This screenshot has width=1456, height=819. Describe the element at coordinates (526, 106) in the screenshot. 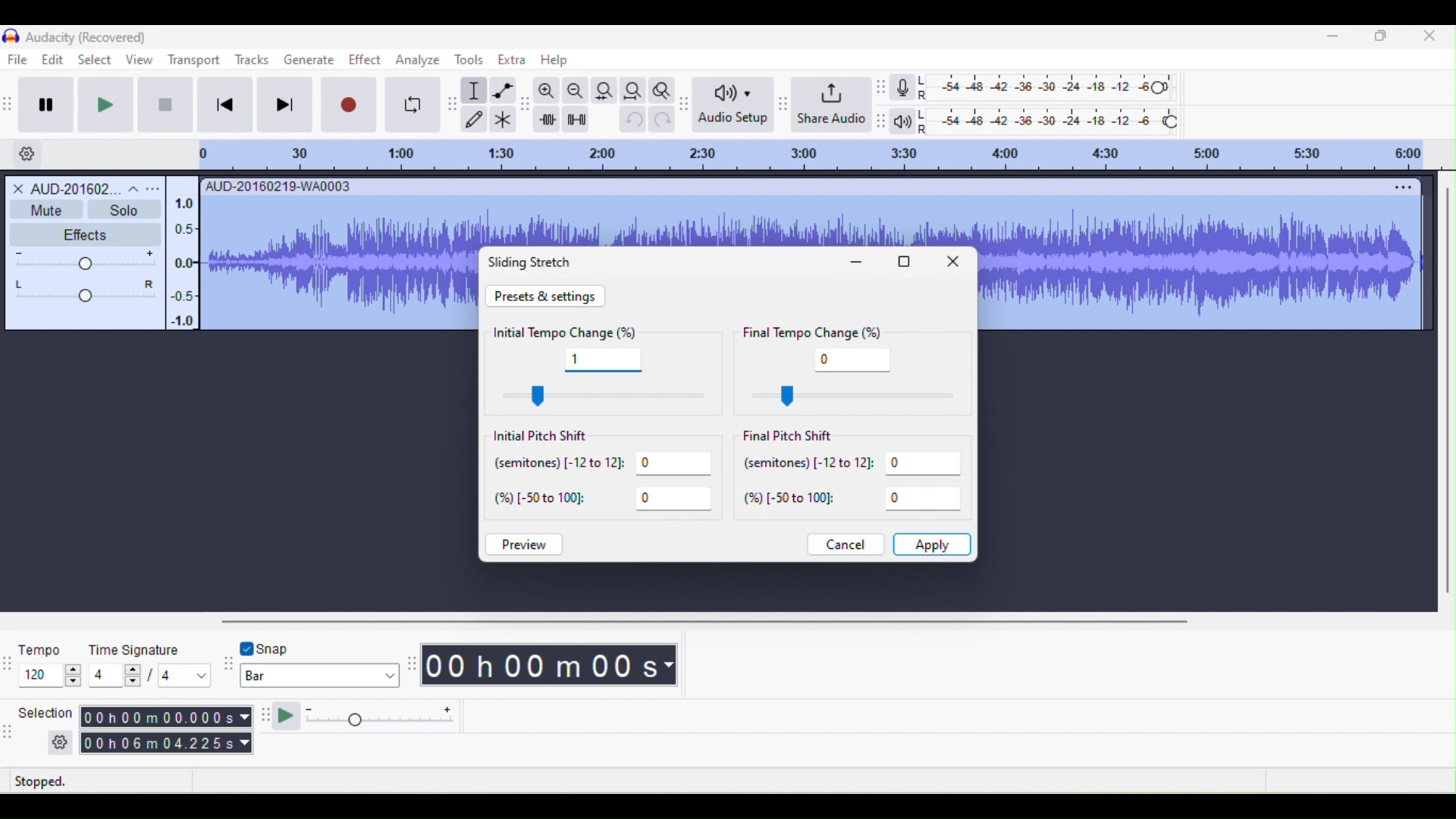

I see `audacity edit toolbar` at that location.